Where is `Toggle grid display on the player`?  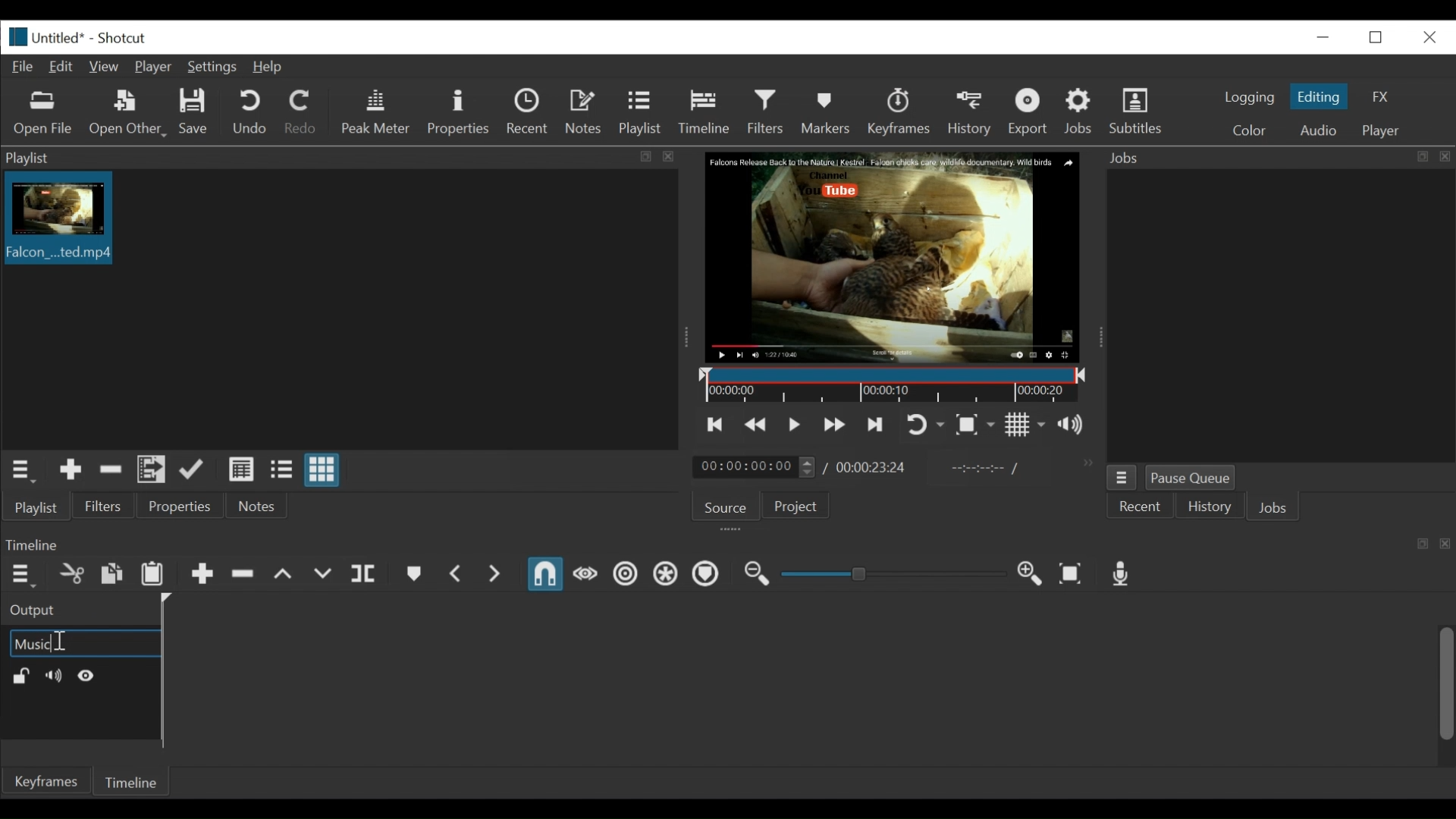
Toggle grid display on the player is located at coordinates (1025, 425).